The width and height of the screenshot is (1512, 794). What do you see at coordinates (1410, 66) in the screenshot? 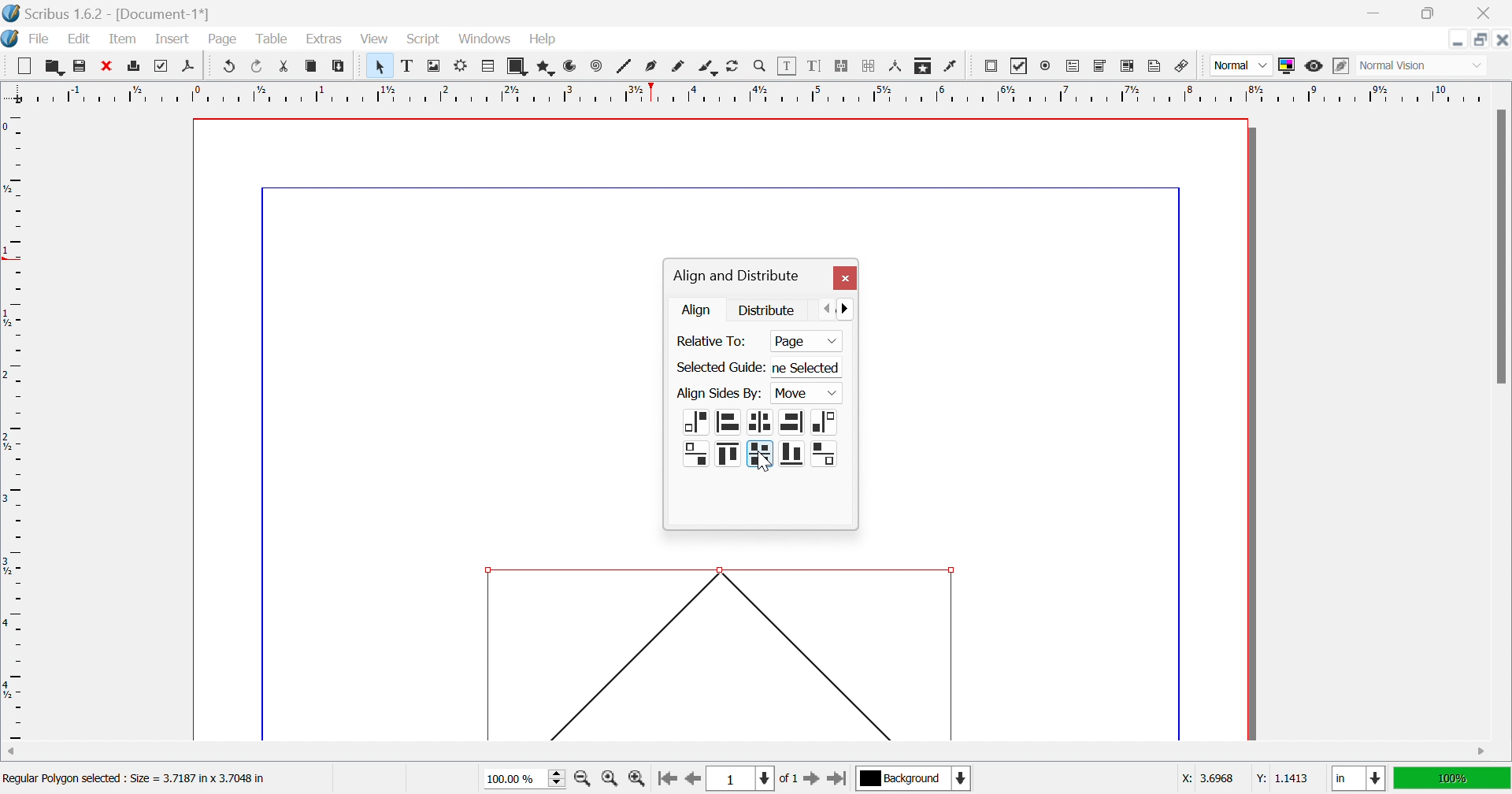
I see `normal vision` at bounding box center [1410, 66].